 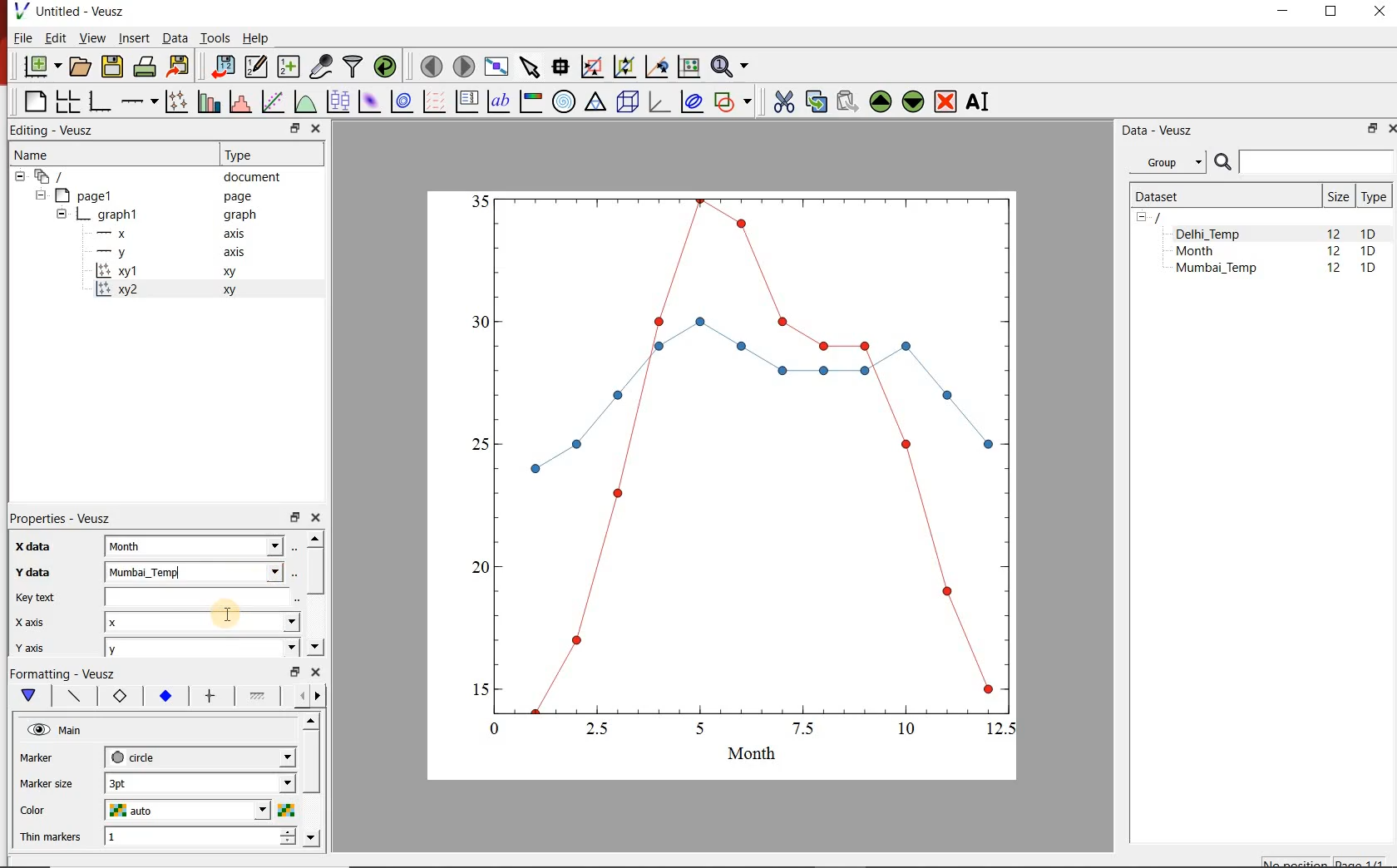 I want to click on restore, so click(x=294, y=516).